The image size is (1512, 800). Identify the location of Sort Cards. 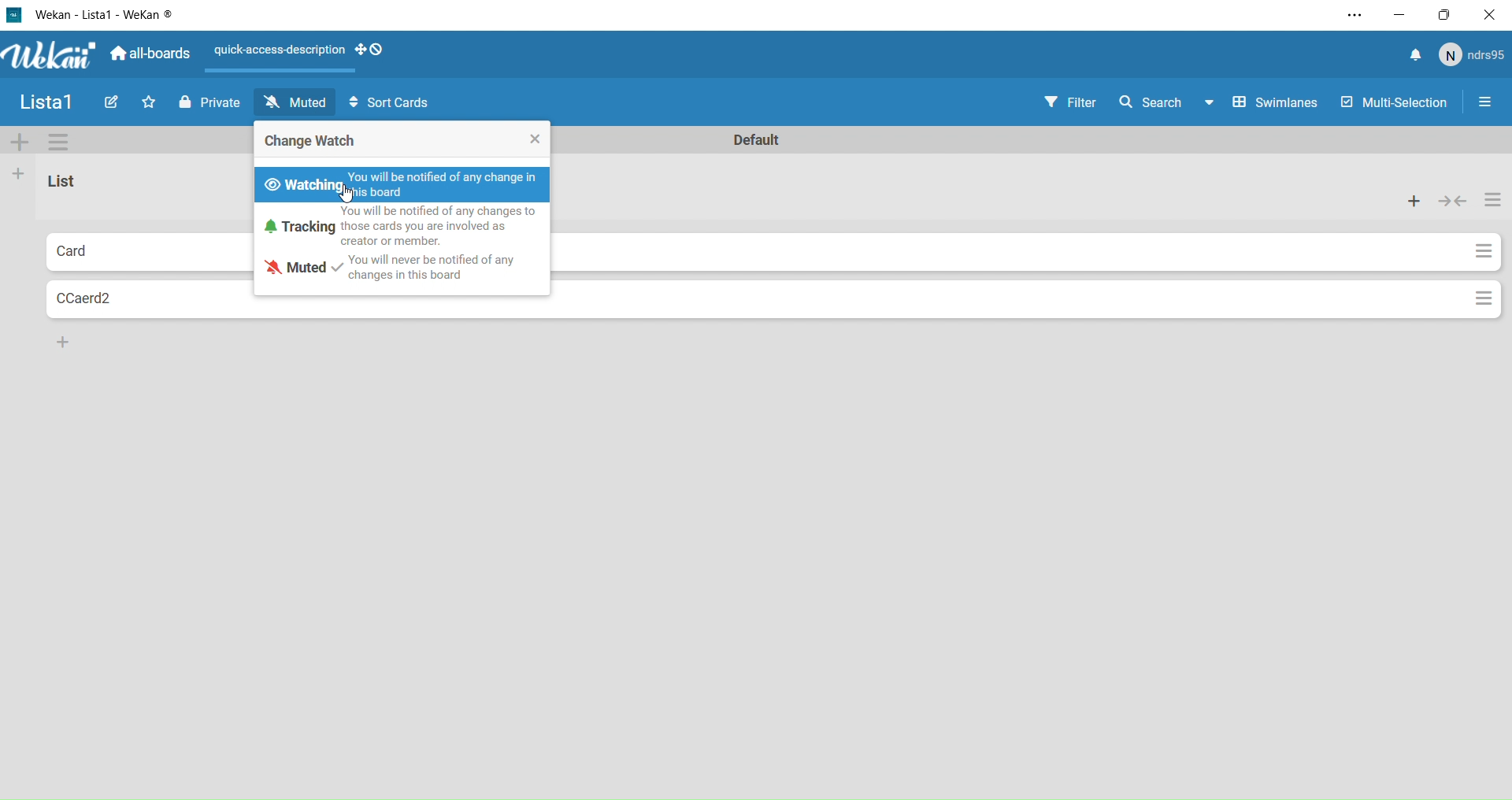
(389, 103).